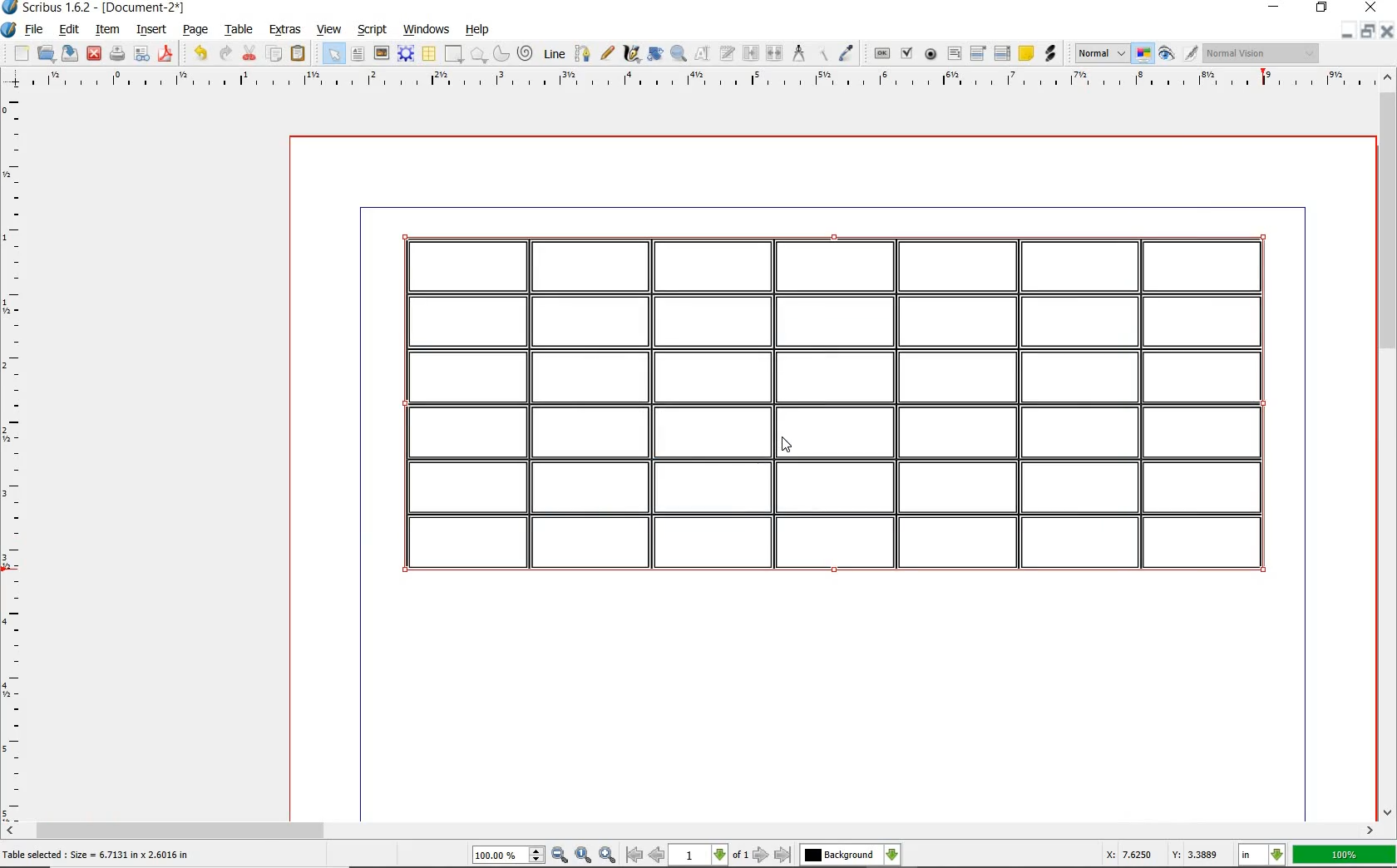 This screenshot has width=1397, height=868. Describe the element at coordinates (905, 53) in the screenshot. I see `pdf checkbox` at that location.